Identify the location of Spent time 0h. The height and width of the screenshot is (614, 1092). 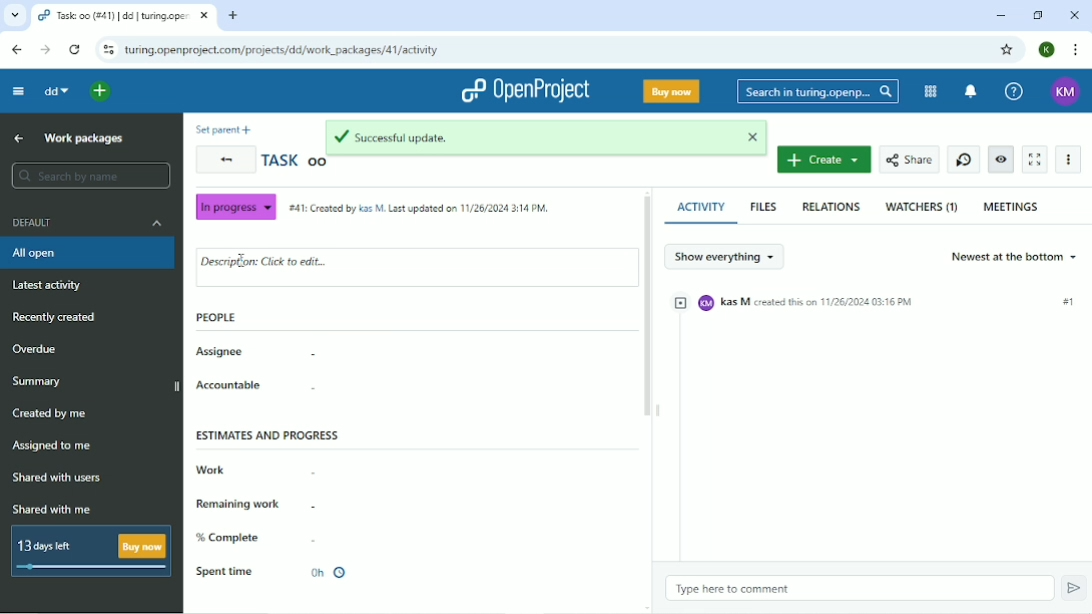
(273, 572).